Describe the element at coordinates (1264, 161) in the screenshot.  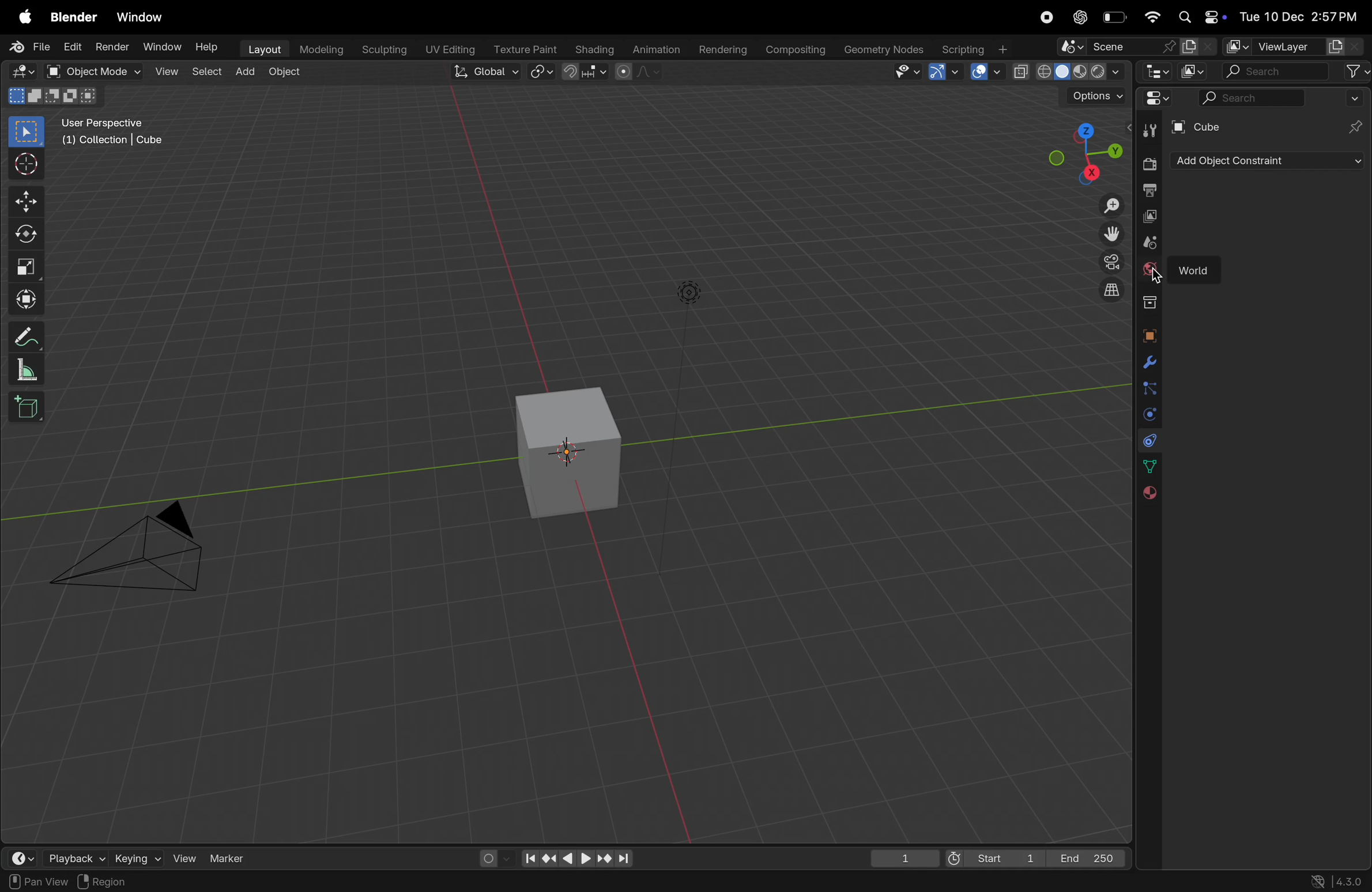
I see `Add object constraint` at that location.